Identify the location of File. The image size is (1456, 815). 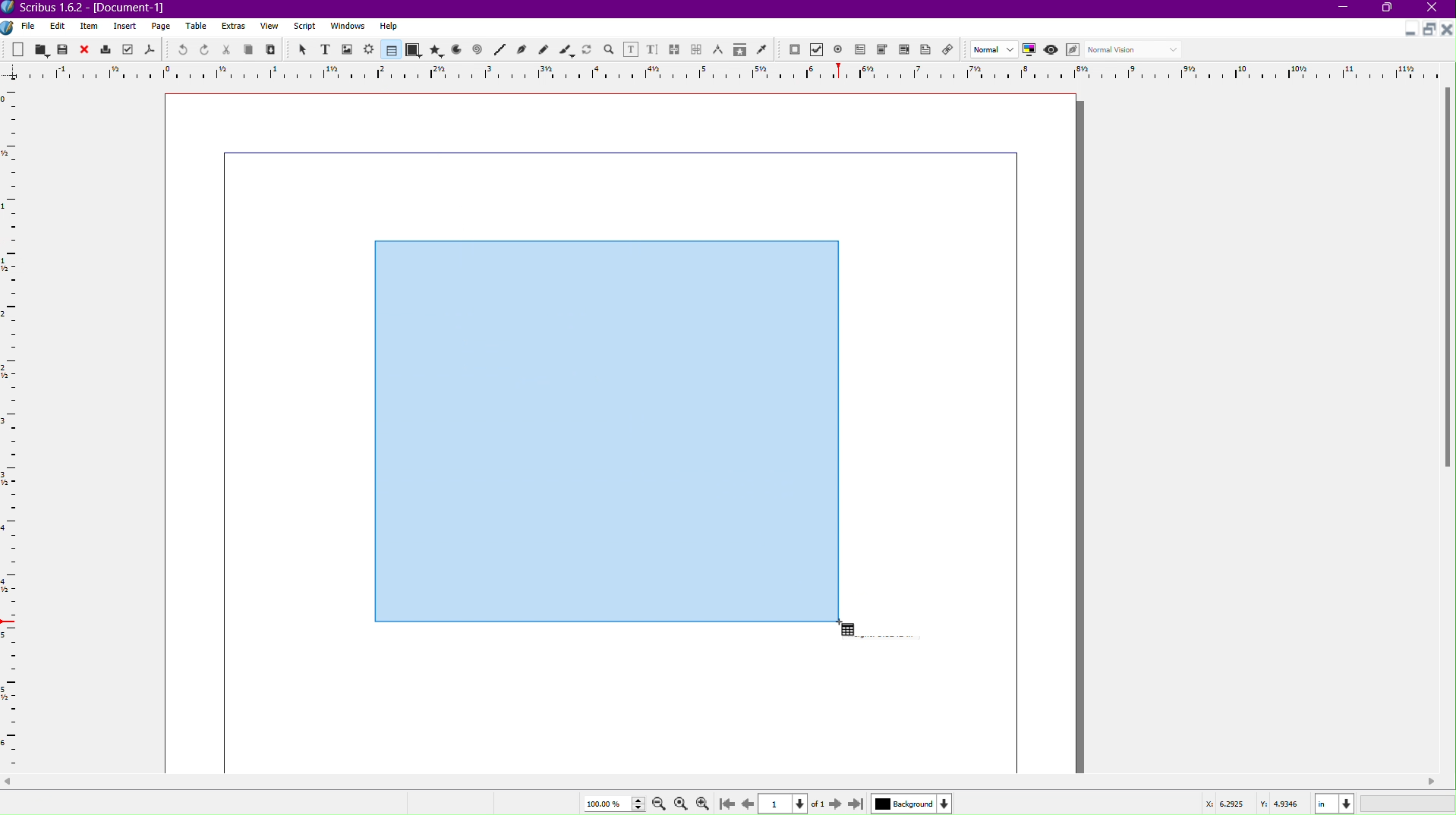
(27, 27).